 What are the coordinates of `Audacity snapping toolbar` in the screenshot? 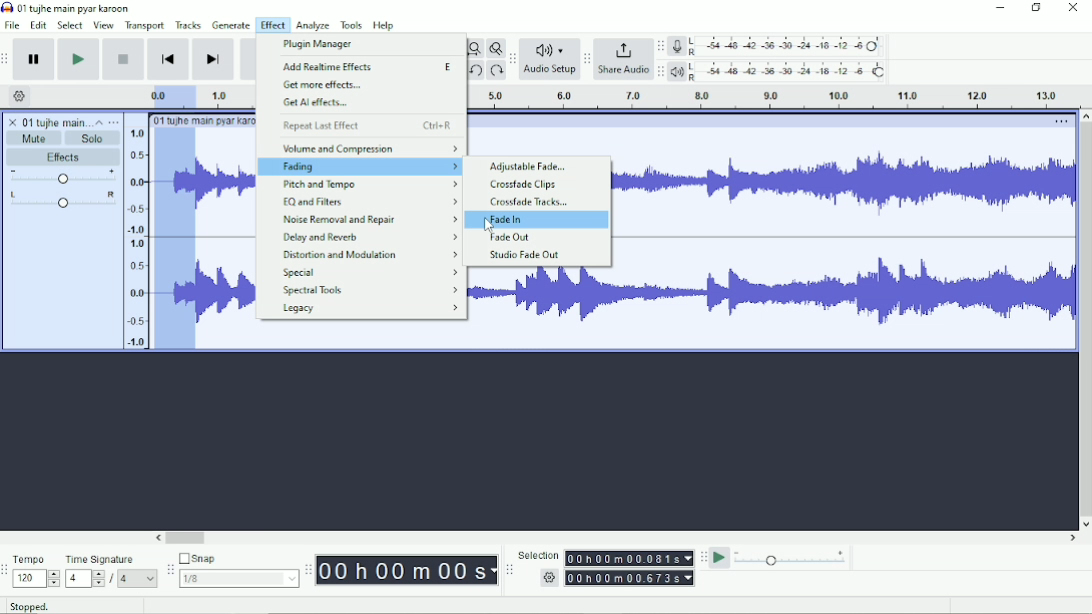 It's located at (169, 569).